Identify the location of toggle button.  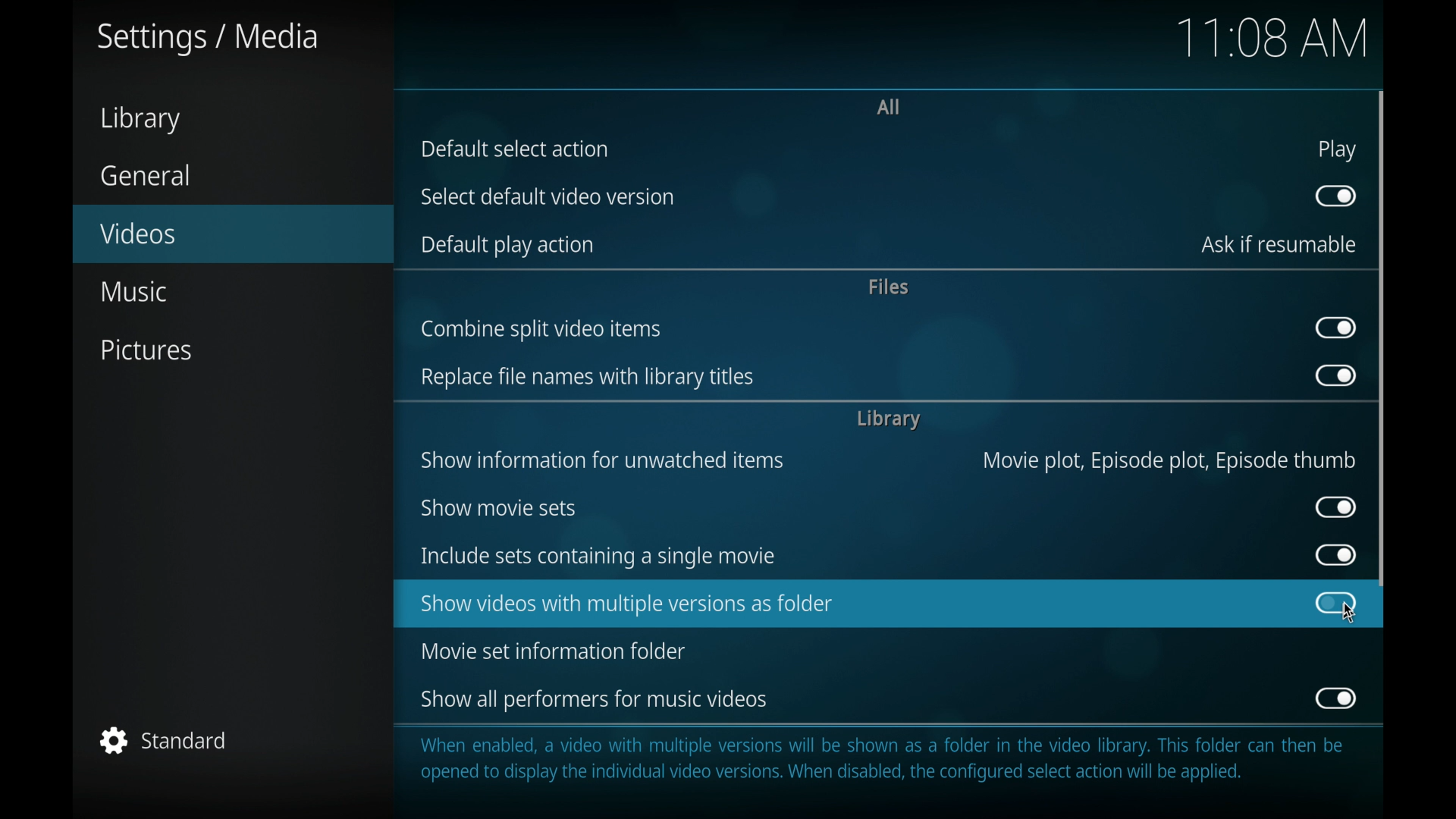
(1336, 375).